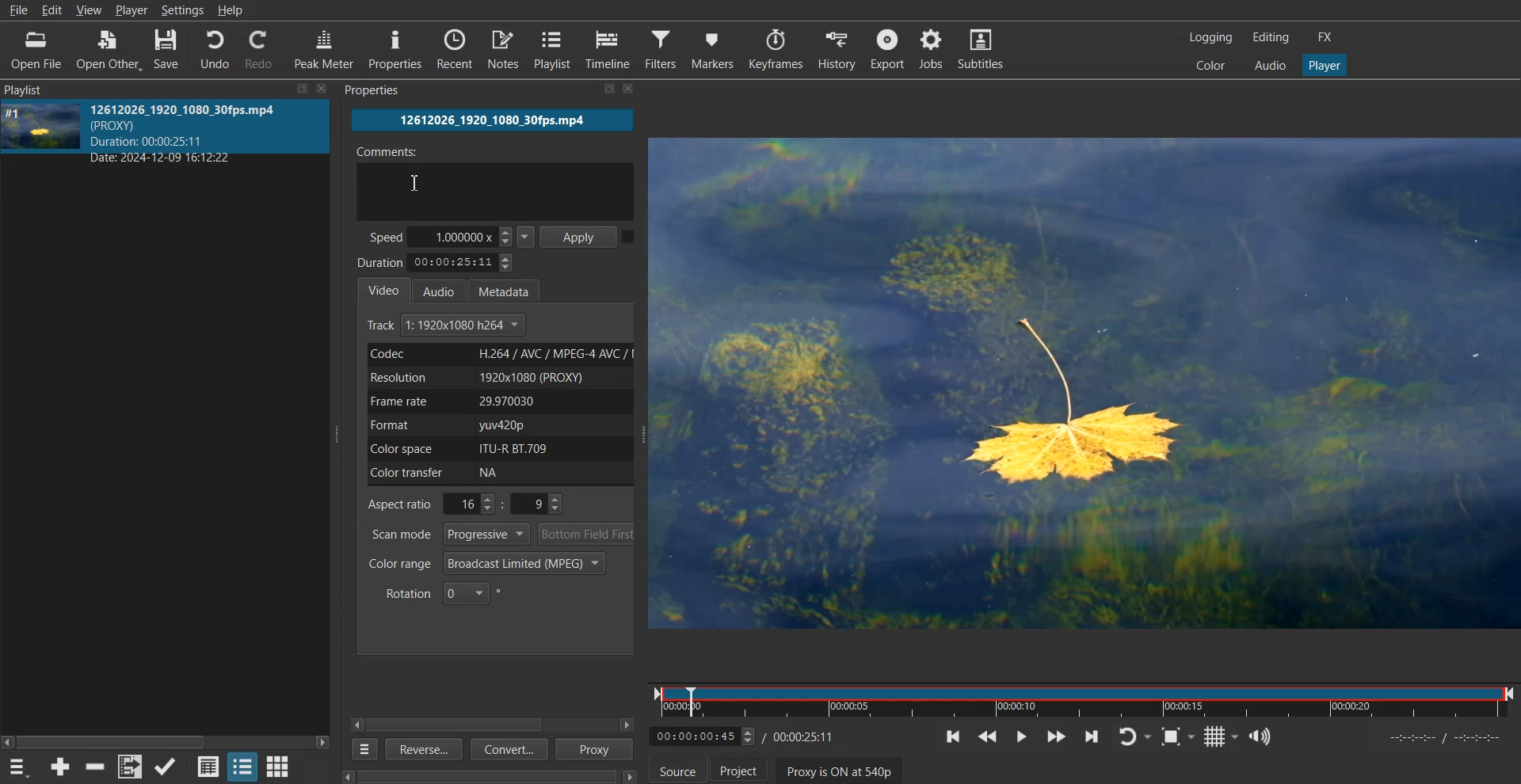  I want to click on Color Transfer, so click(502, 474).